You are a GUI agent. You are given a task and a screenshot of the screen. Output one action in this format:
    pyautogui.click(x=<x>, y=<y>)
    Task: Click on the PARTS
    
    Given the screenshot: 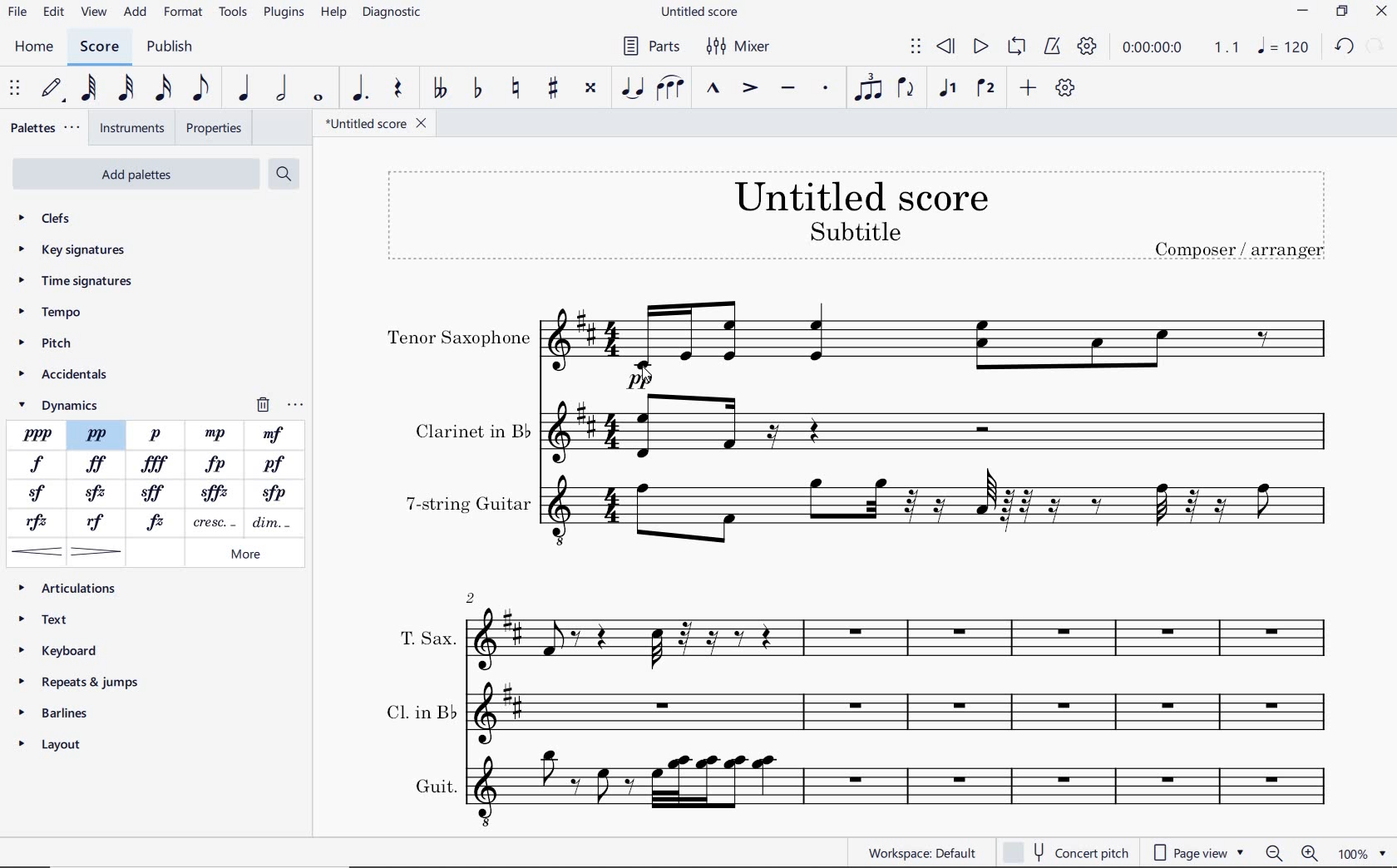 What is the action you would take?
    pyautogui.click(x=650, y=45)
    